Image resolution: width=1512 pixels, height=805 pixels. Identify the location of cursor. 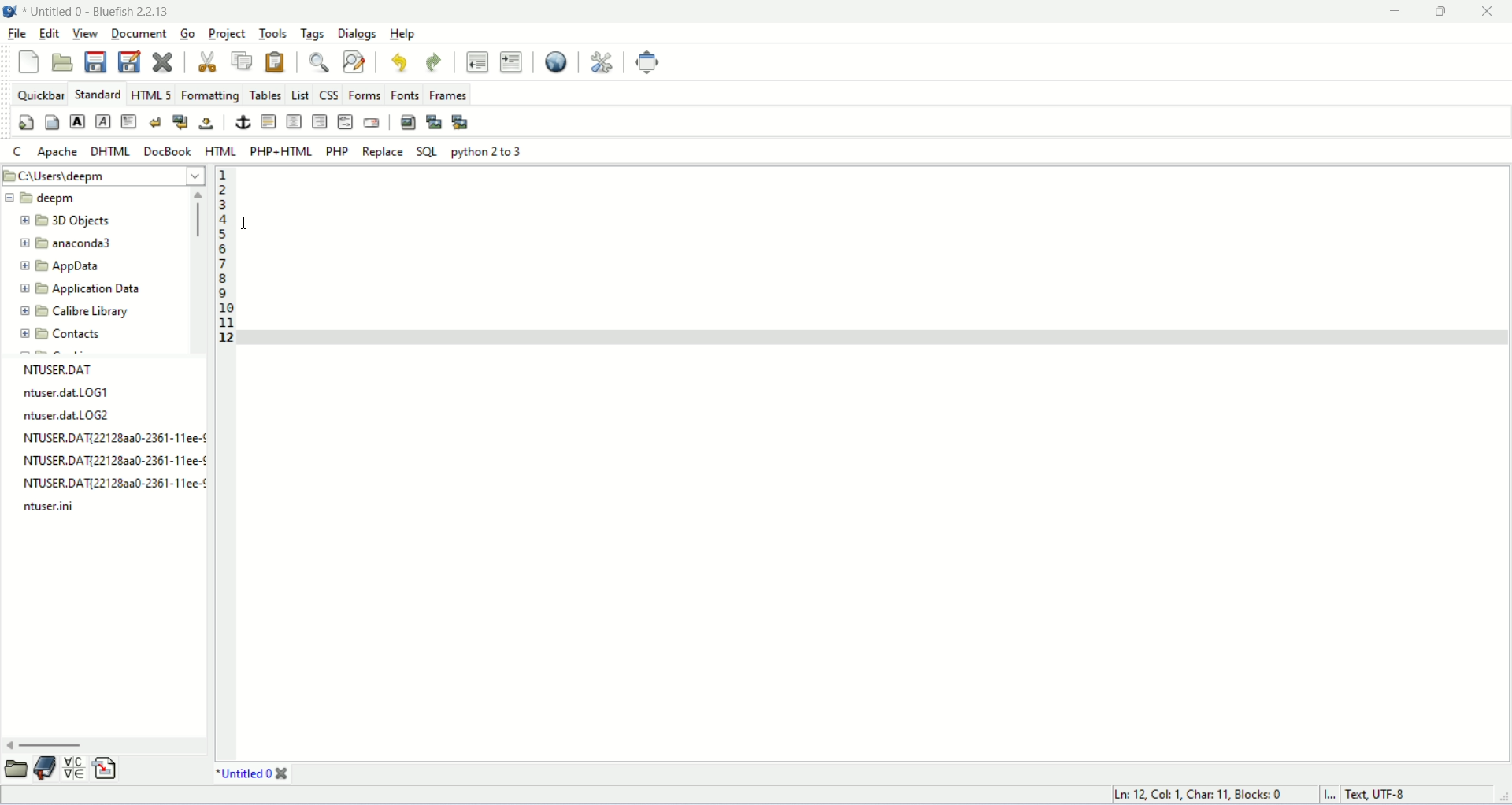
(249, 228).